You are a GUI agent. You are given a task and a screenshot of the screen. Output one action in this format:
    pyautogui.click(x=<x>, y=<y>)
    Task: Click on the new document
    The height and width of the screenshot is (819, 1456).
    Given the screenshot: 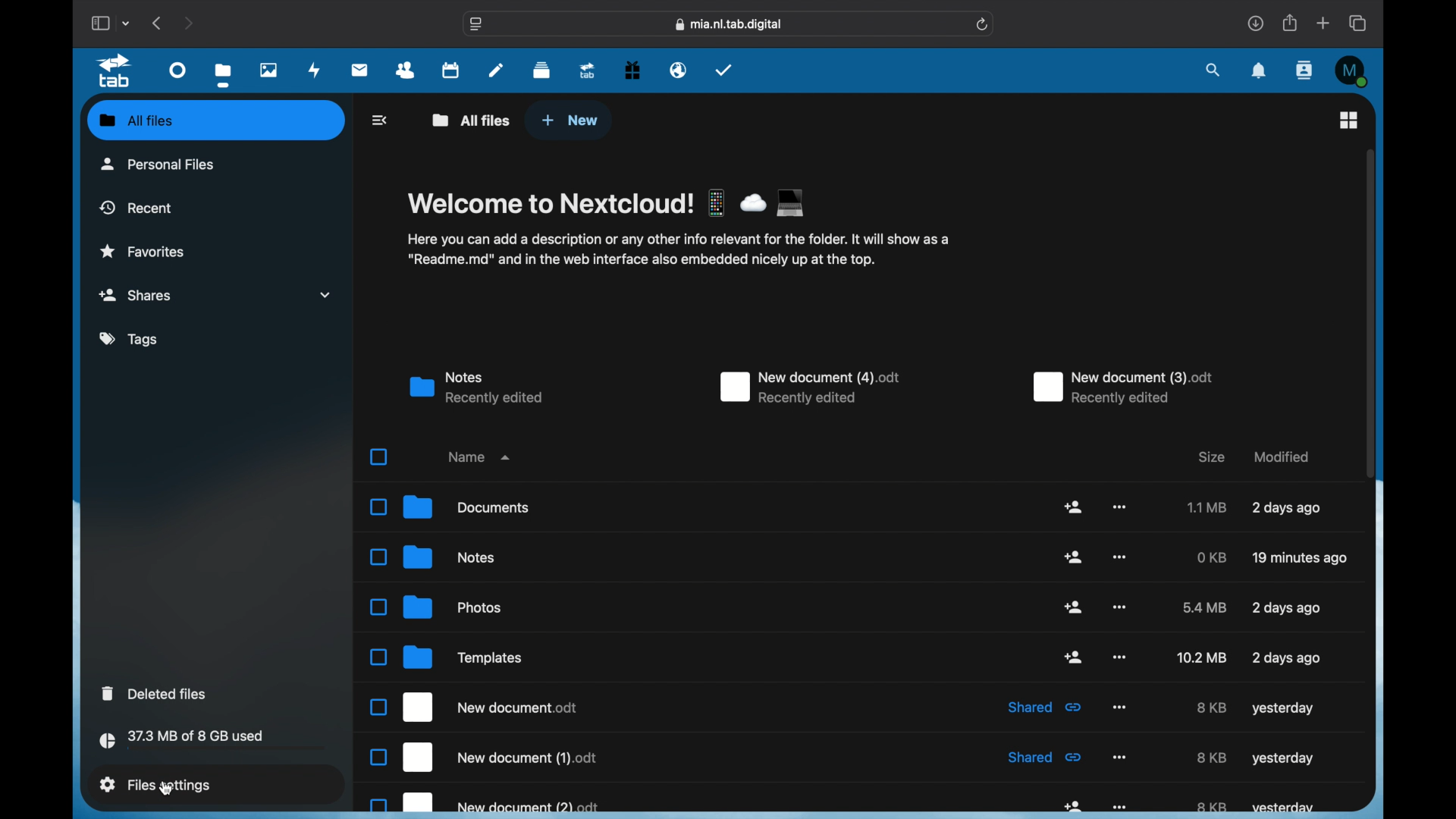 What is the action you would take?
    pyautogui.click(x=483, y=757)
    